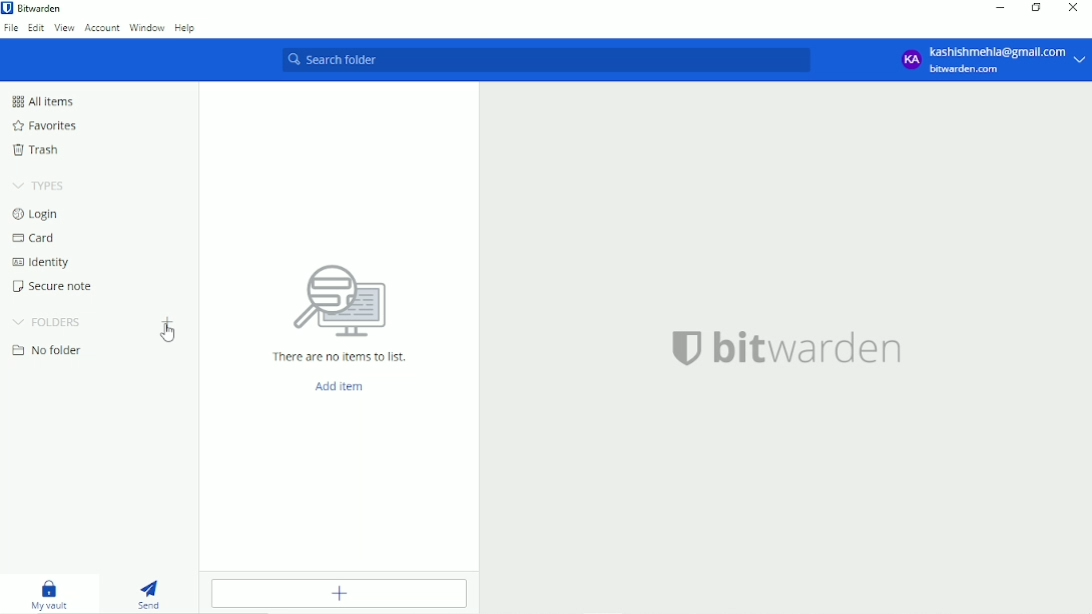  I want to click on Card, so click(38, 239).